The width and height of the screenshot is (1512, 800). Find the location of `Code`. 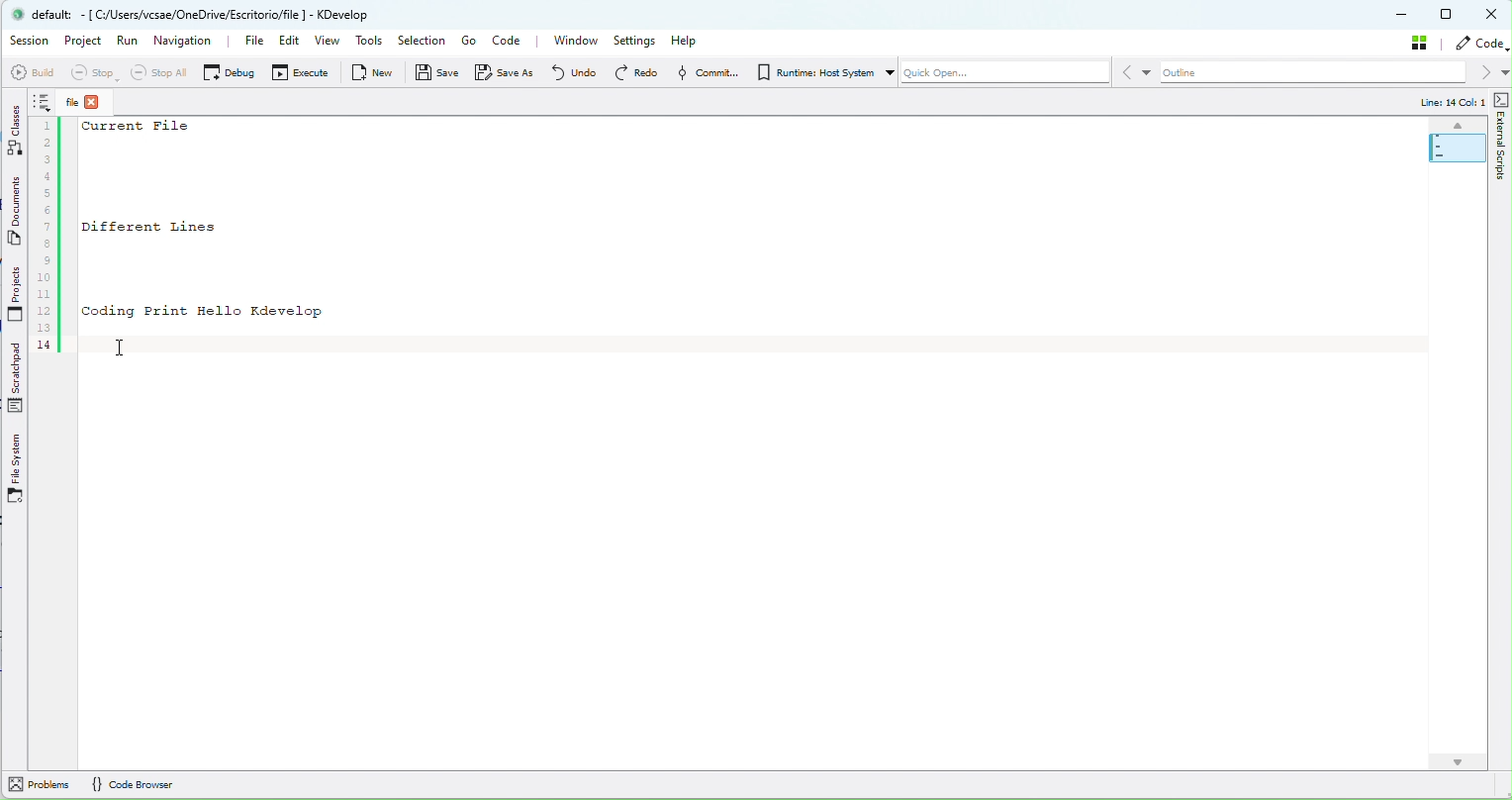

Code is located at coordinates (512, 43).